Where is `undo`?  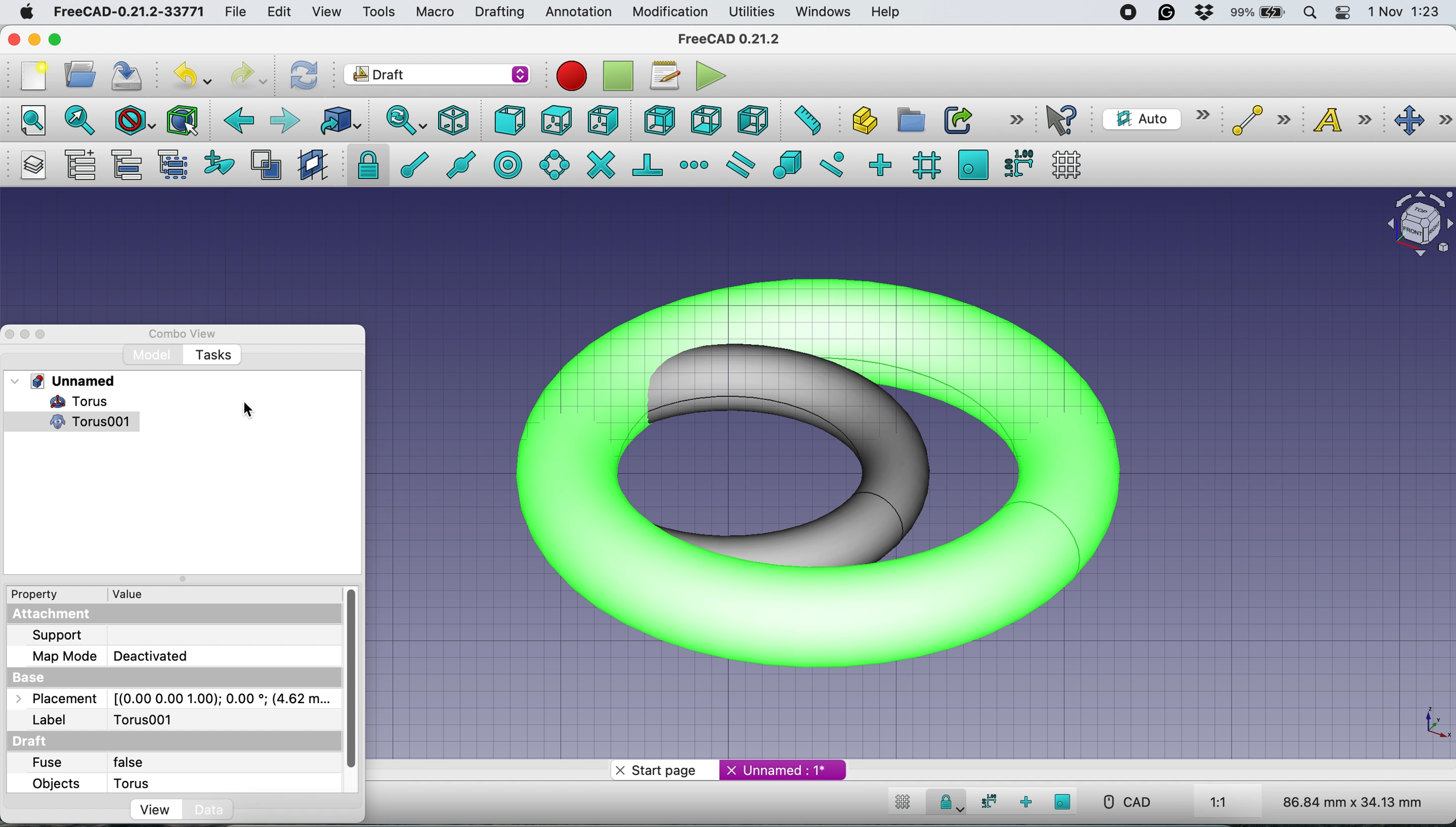 undo is located at coordinates (192, 73).